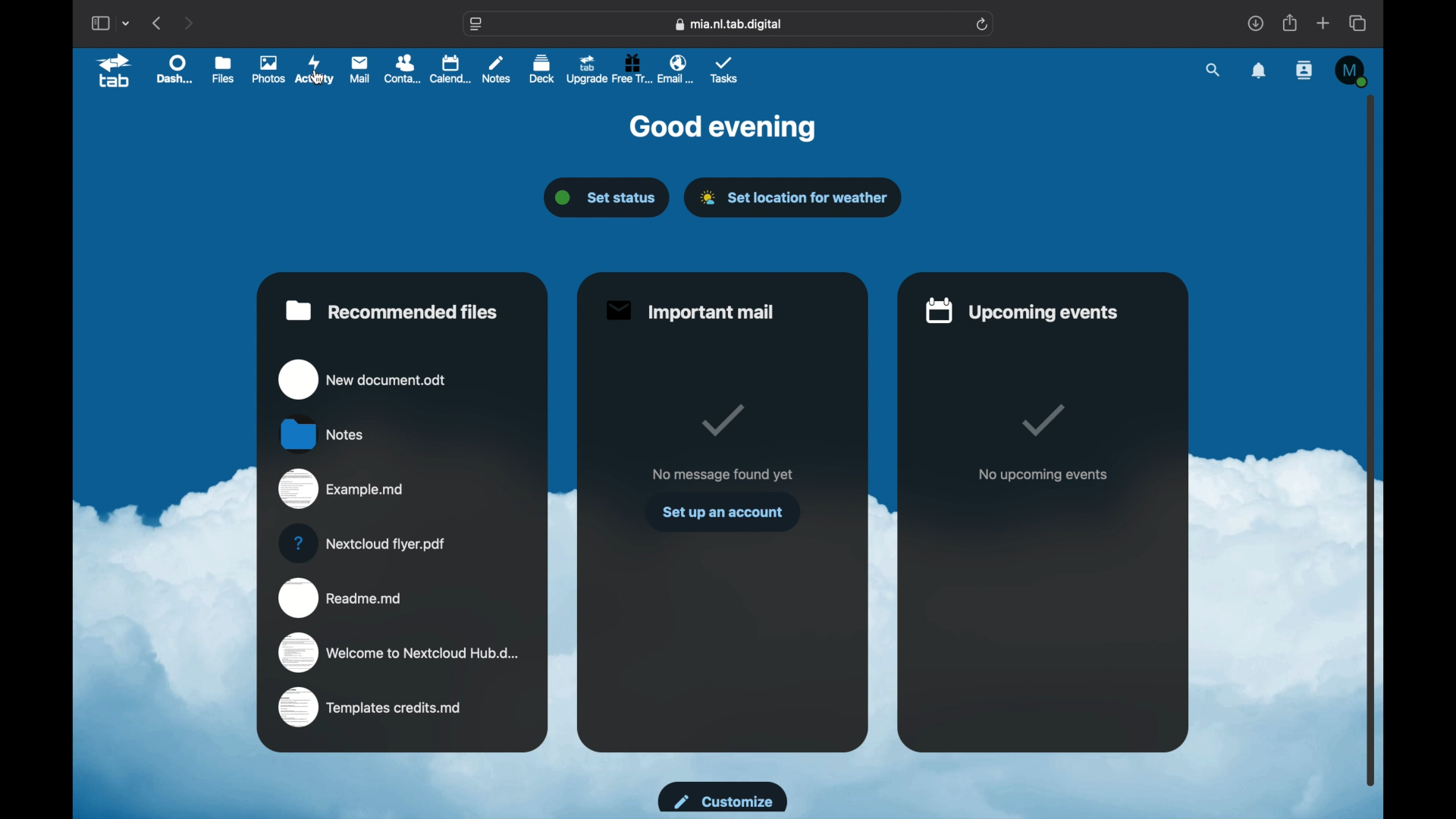  What do you see at coordinates (1019, 311) in the screenshot?
I see `upcoming events` at bounding box center [1019, 311].